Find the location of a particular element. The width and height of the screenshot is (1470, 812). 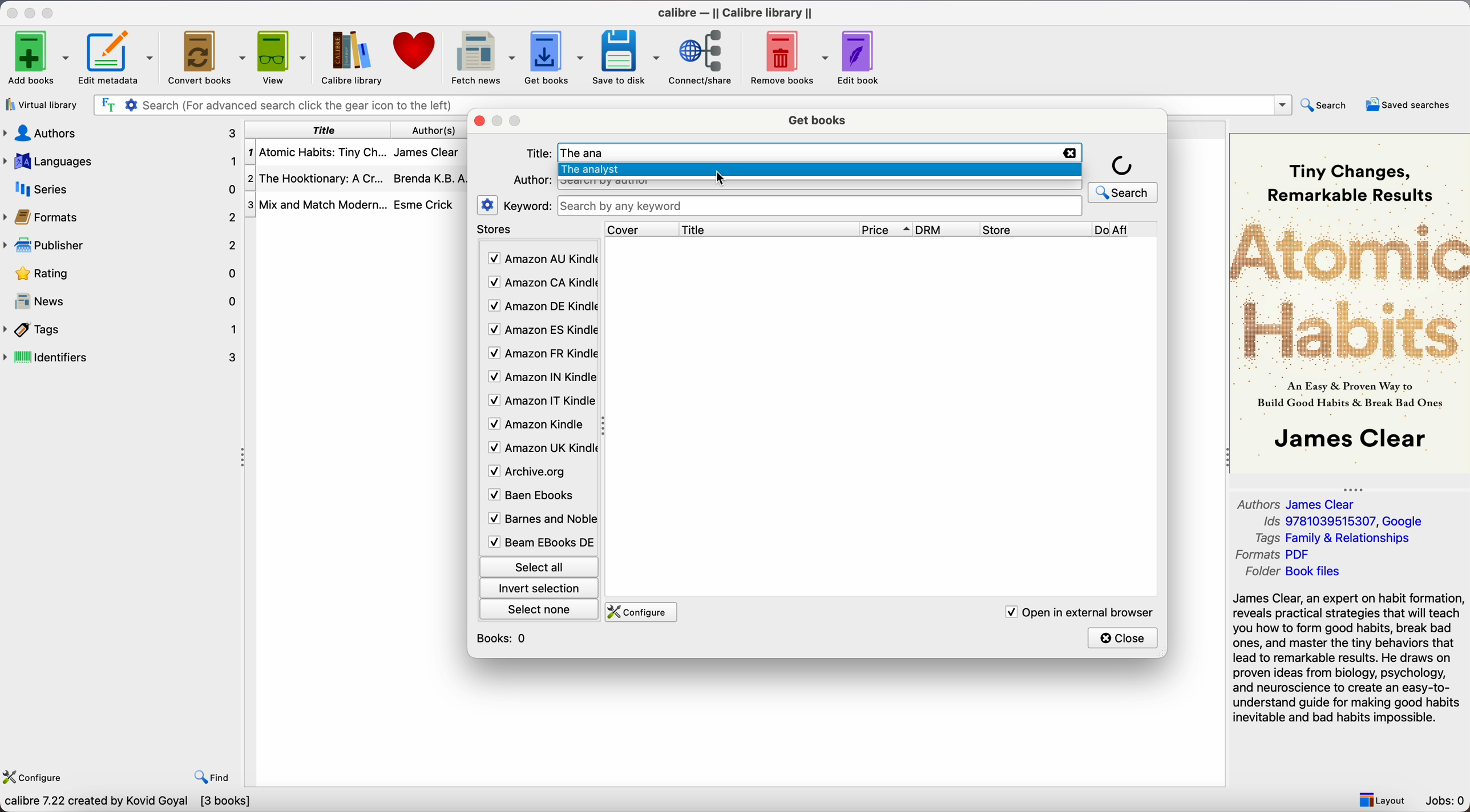

stores is located at coordinates (497, 231).